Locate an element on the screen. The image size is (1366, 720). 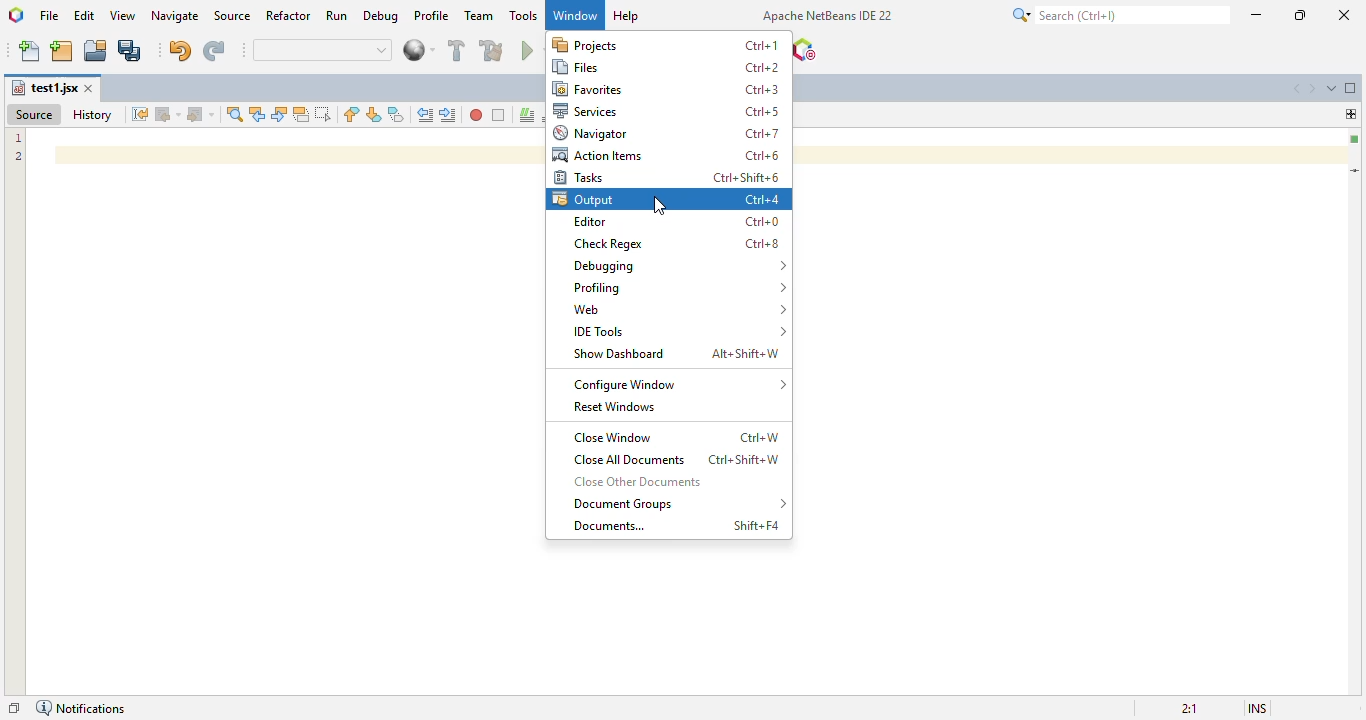
refactor is located at coordinates (289, 15).